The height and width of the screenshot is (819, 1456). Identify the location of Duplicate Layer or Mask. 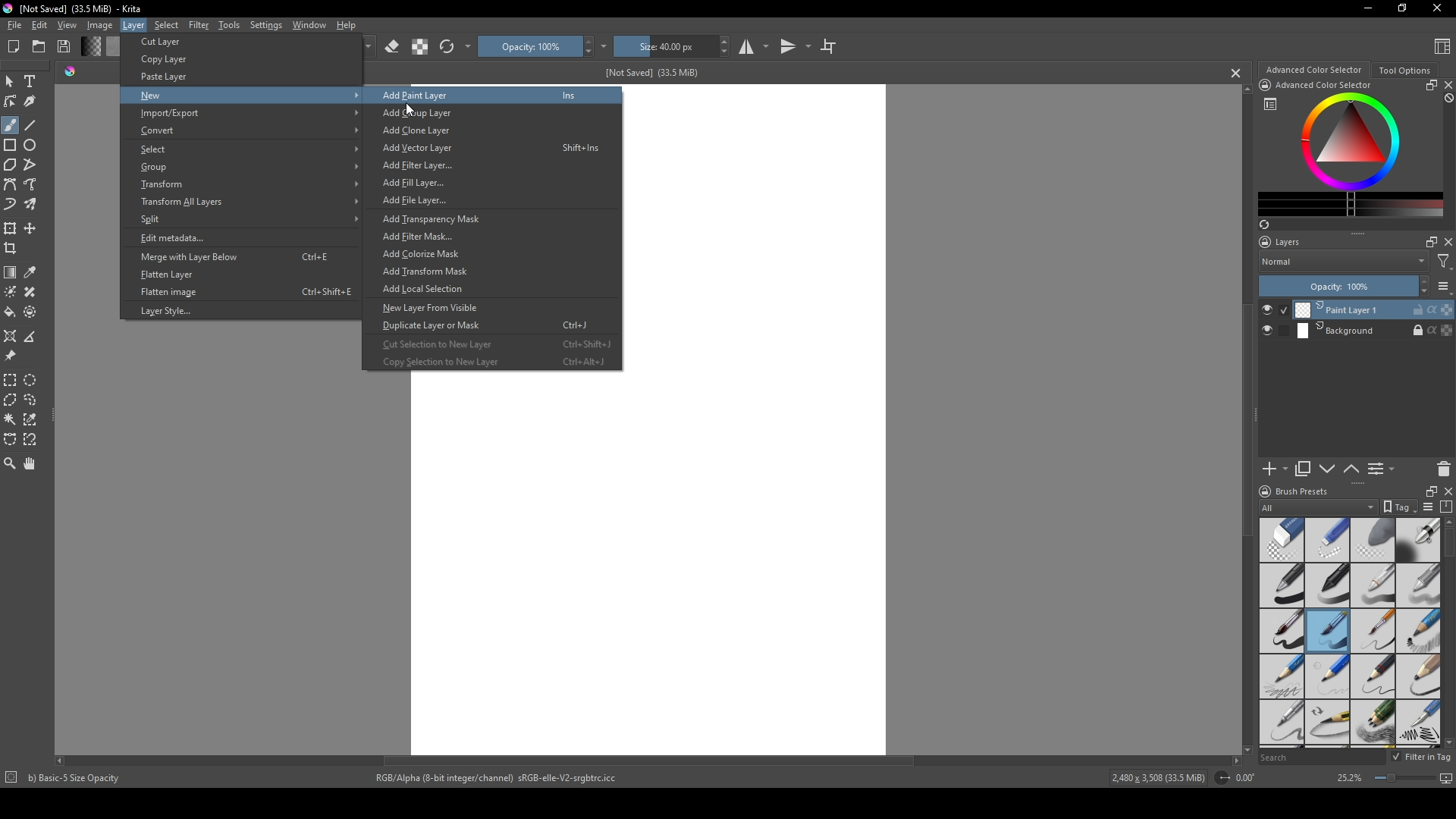
(489, 326).